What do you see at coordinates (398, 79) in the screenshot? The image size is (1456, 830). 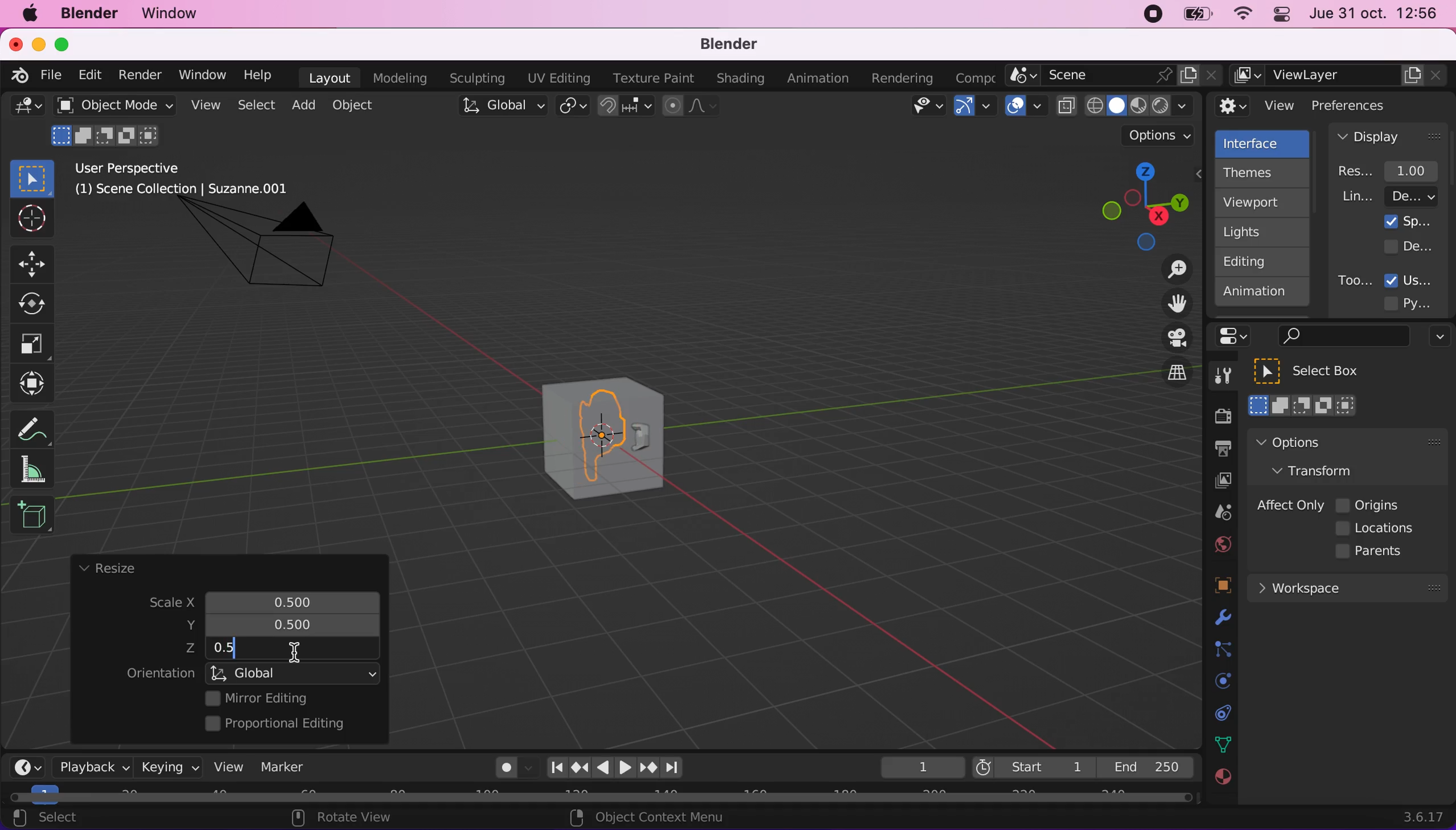 I see `modeling` at bounding box center [398, 79].